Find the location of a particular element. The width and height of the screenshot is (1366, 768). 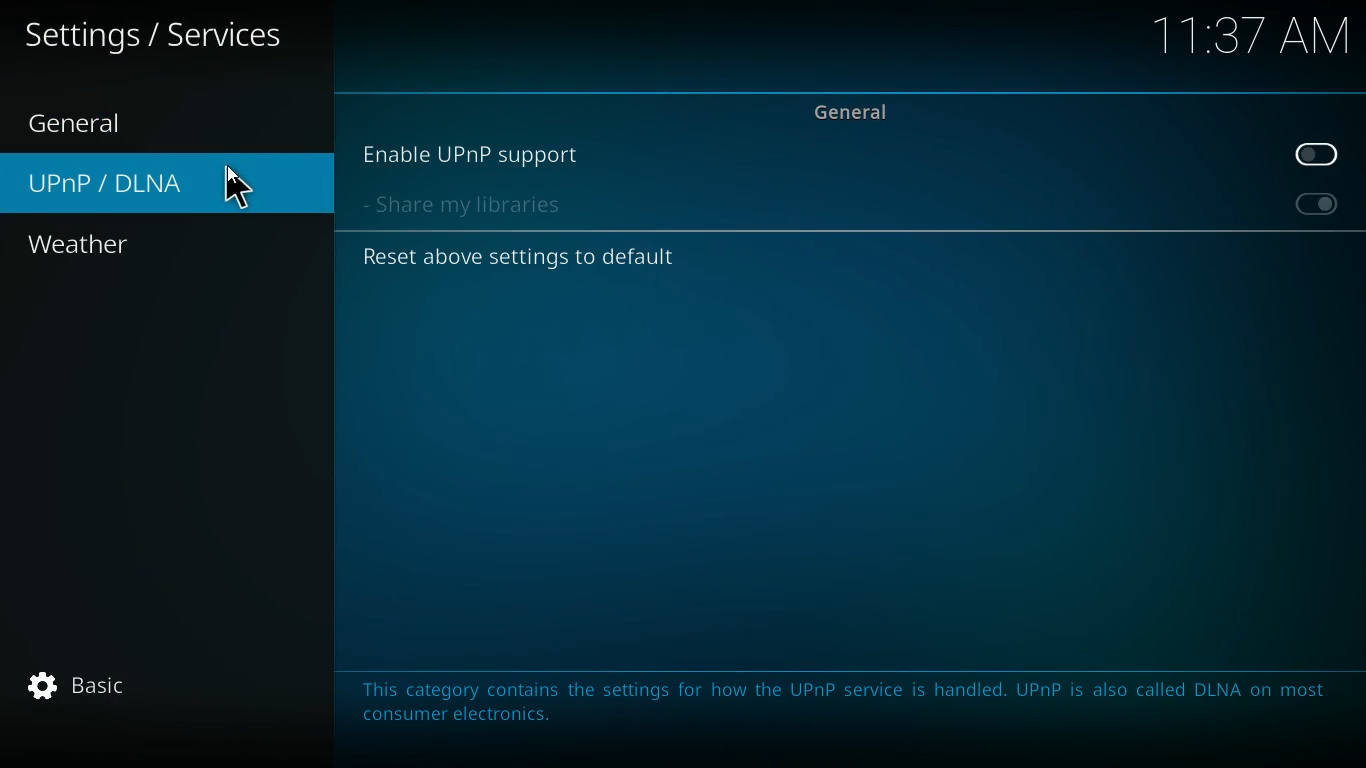

general is located at coordinates (855, 111).